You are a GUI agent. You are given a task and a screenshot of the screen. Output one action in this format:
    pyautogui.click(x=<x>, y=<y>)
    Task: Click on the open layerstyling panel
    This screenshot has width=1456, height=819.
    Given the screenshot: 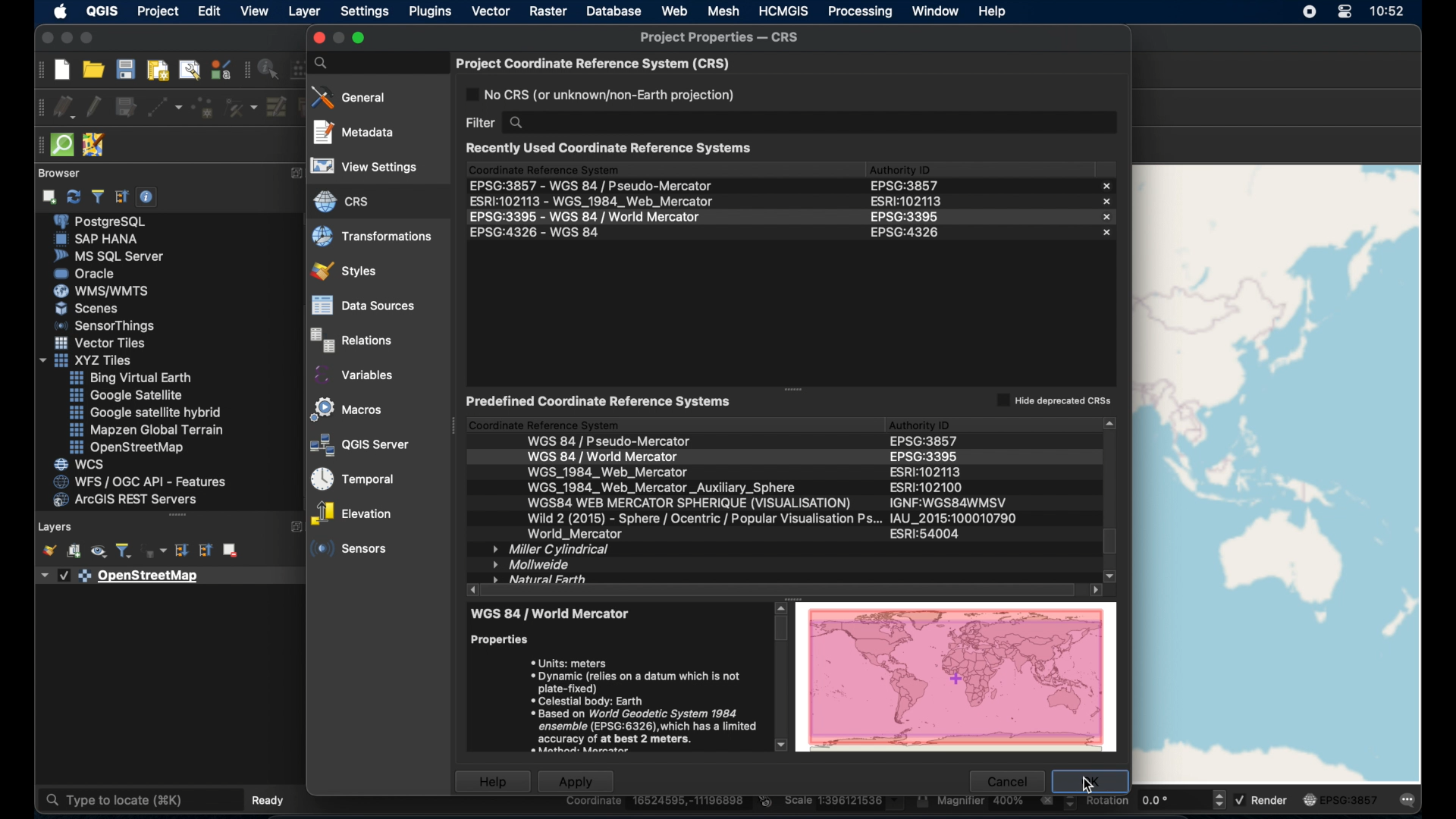 What is the action you would take?
    pyautogui.click(x=49, y=551)
    